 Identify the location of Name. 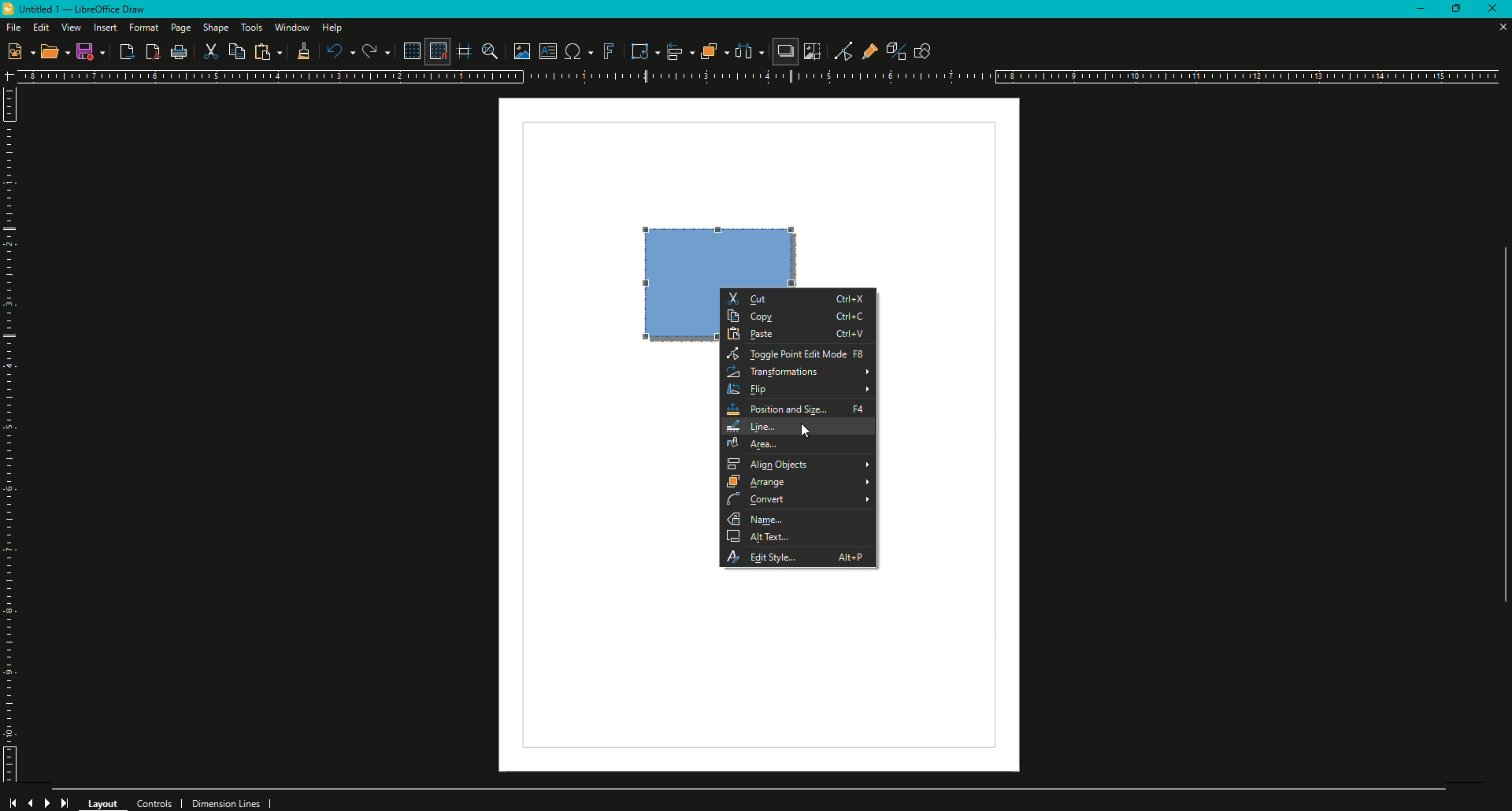
(799, 520).